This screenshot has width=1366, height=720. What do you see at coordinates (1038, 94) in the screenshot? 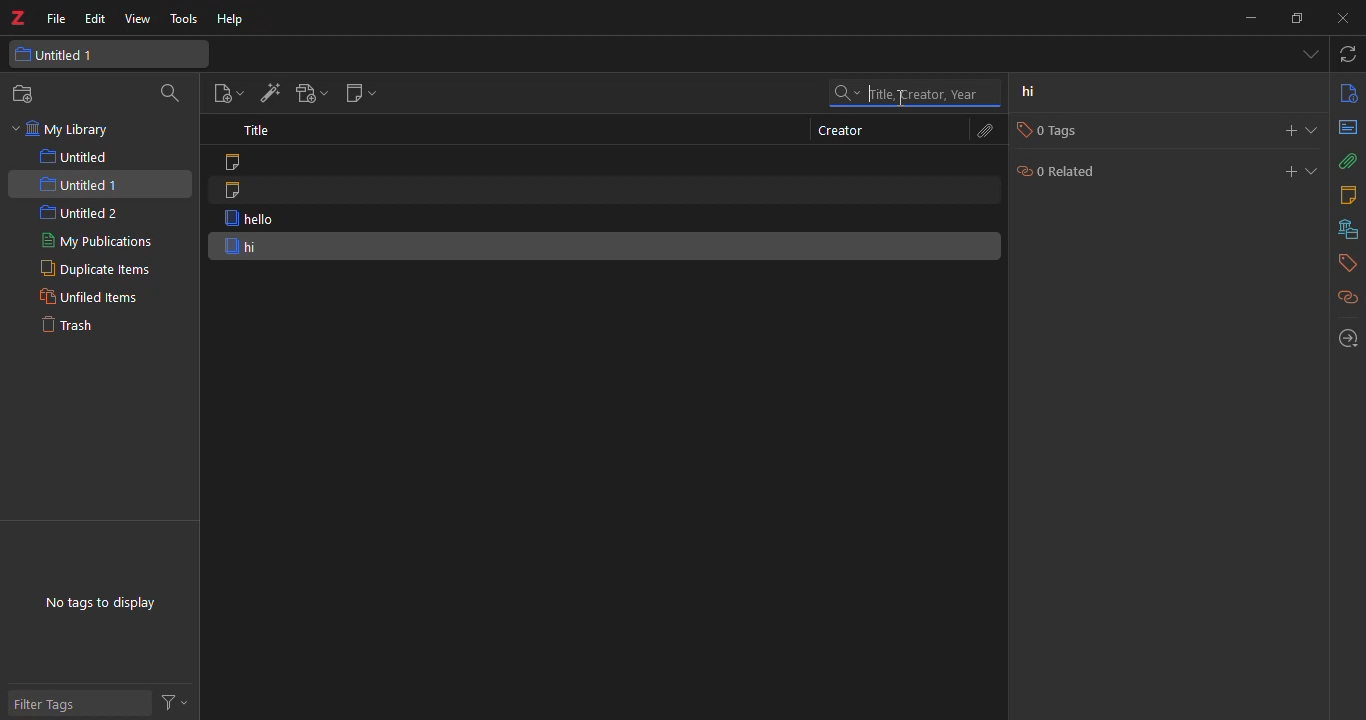
I see `hi` at bounding box center [1038, 94].